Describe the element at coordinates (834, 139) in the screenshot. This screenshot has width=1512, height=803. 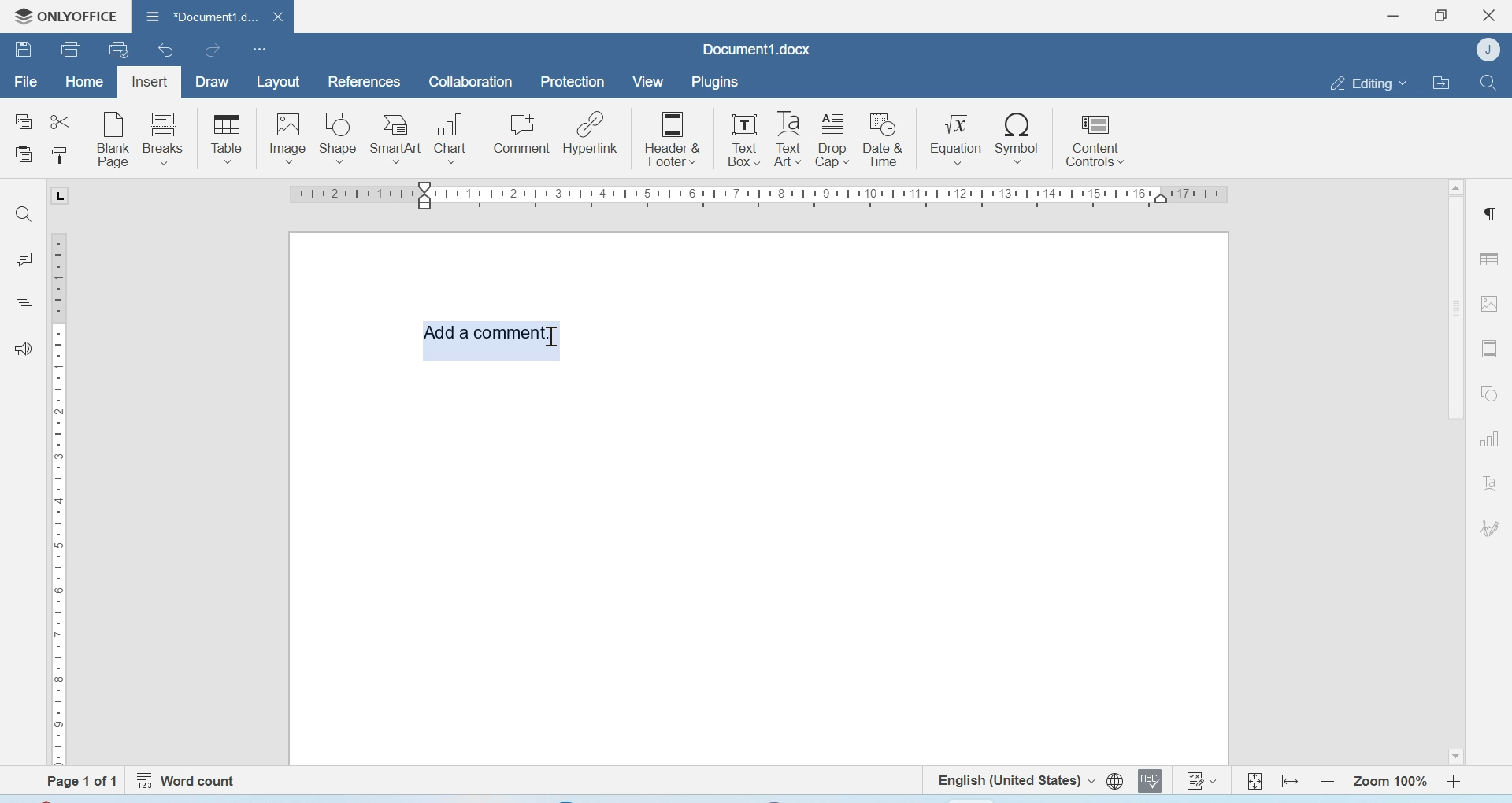
I see `Drop cafe` at that location.